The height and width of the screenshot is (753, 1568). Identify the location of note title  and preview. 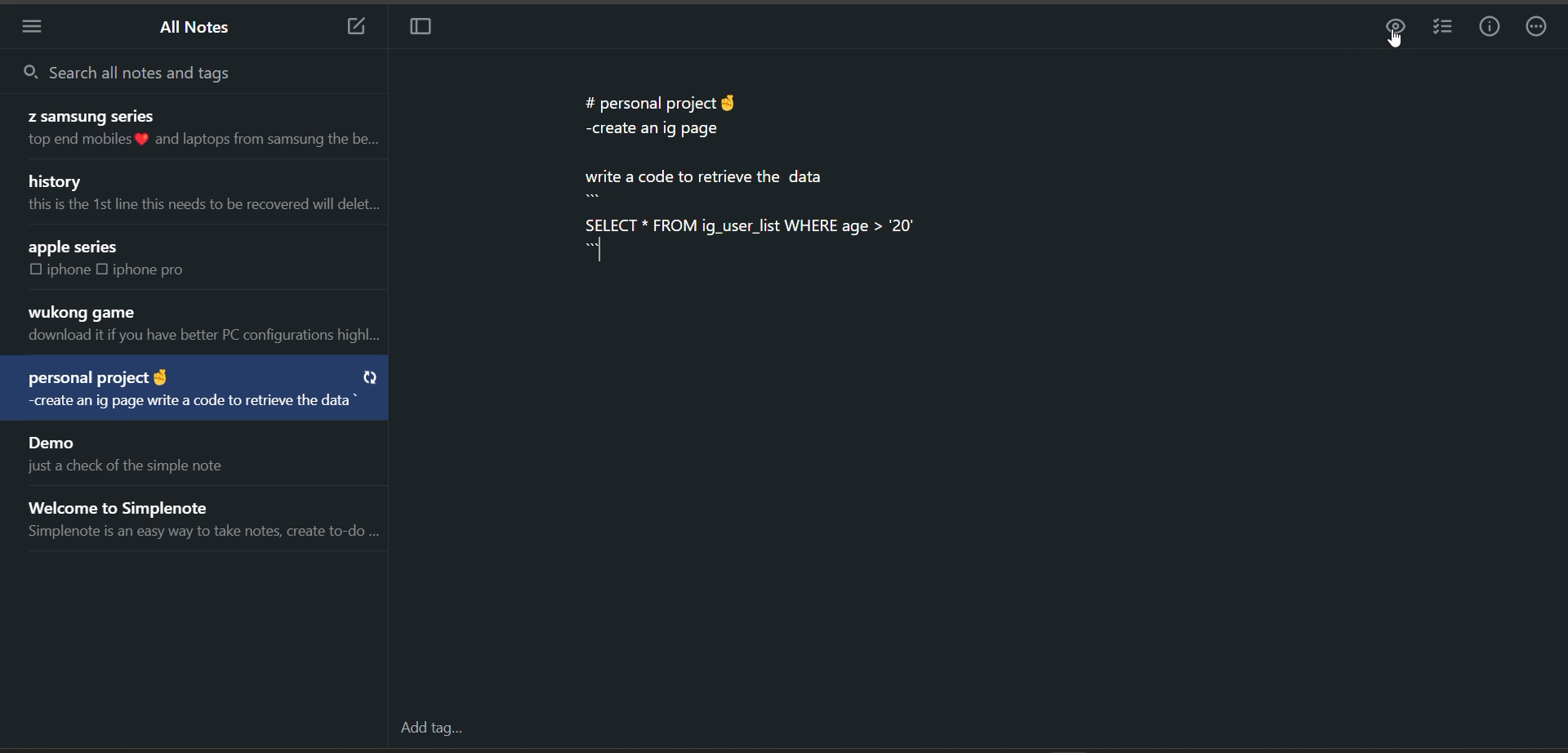
(207, 515).